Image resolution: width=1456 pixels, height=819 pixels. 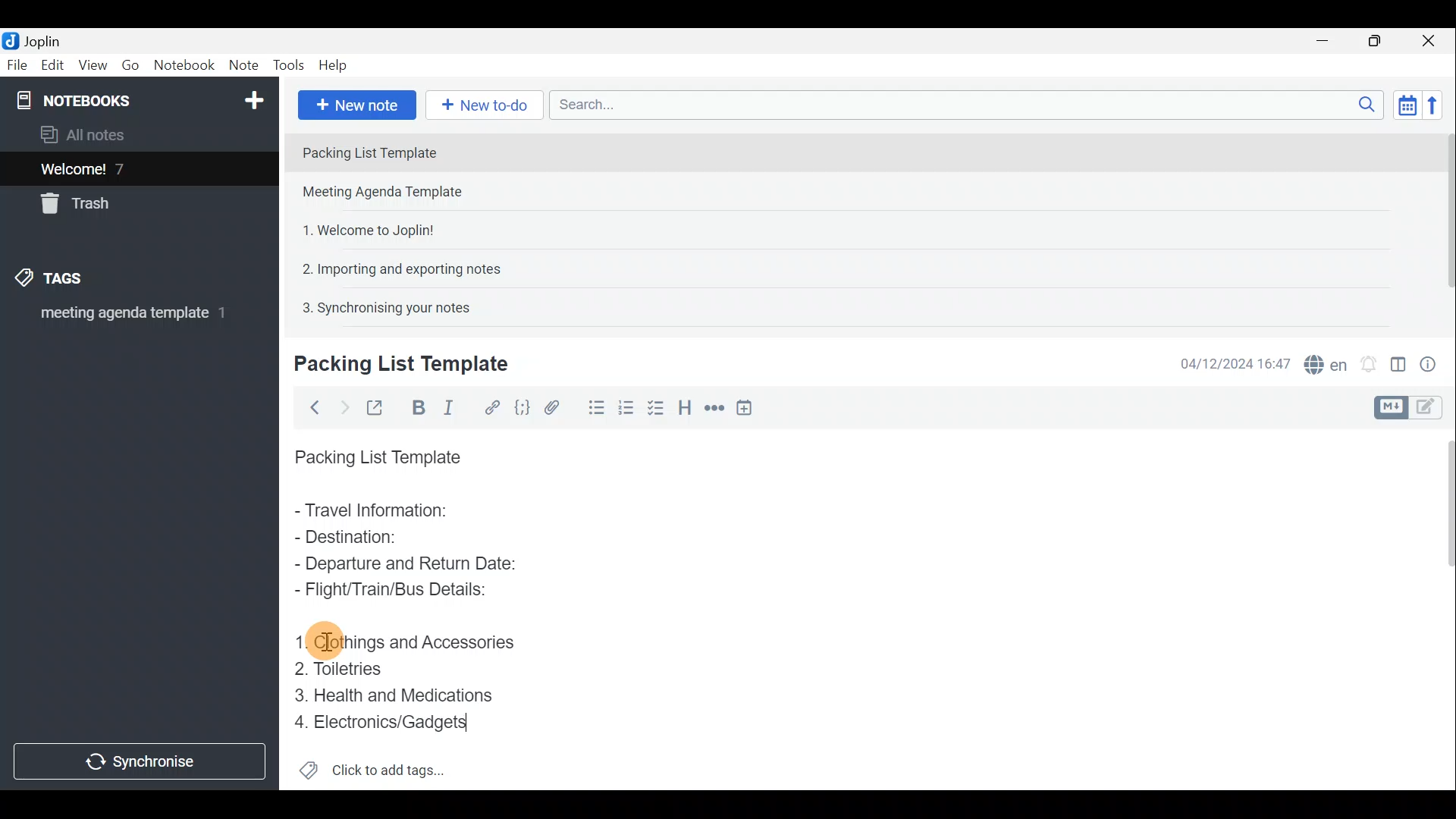 What do you see at coordinates (1322, 362) in the screenshot?
I see `Spell checker` at bounding box center [1322, 362].